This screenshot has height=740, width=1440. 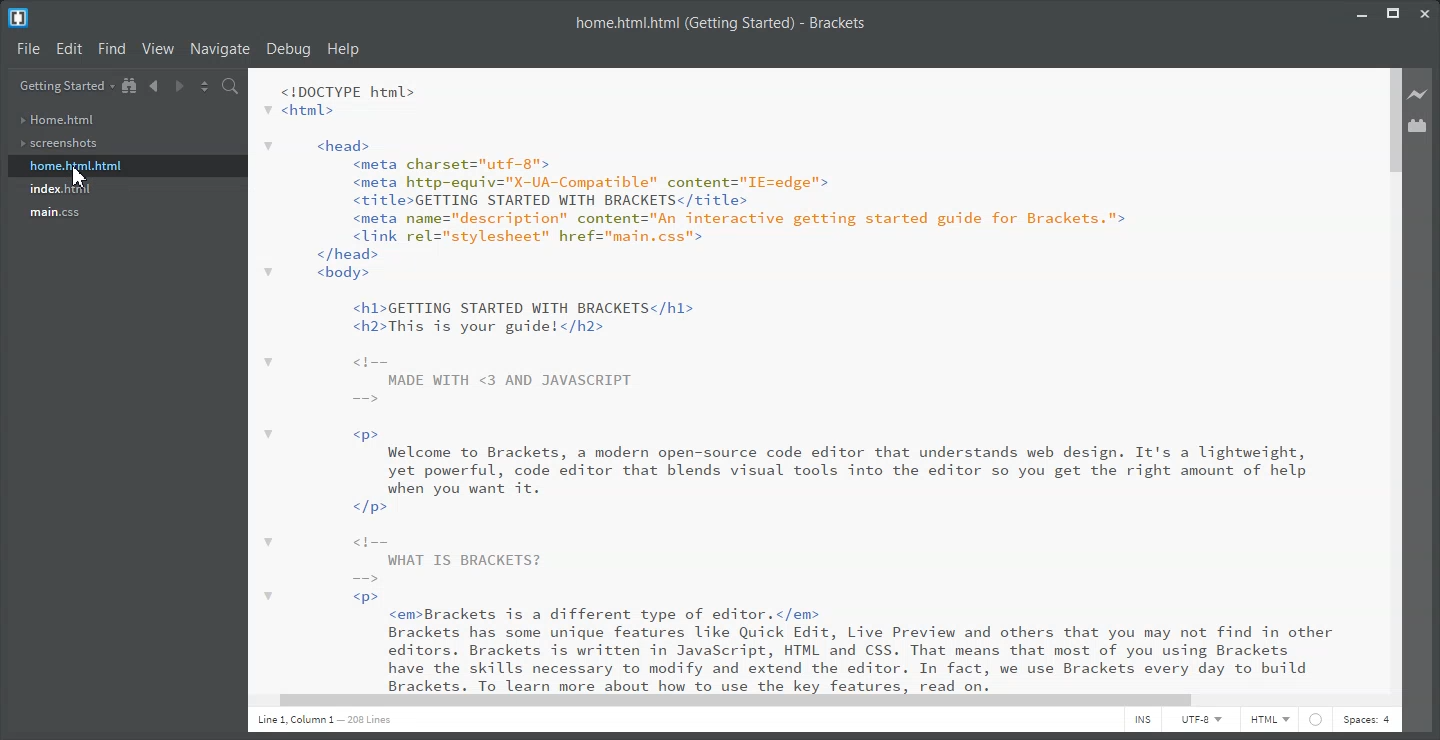 What do you see at coordinates (29, 49) in the screenshot?
I see `File` at bounding box center [29, 49].